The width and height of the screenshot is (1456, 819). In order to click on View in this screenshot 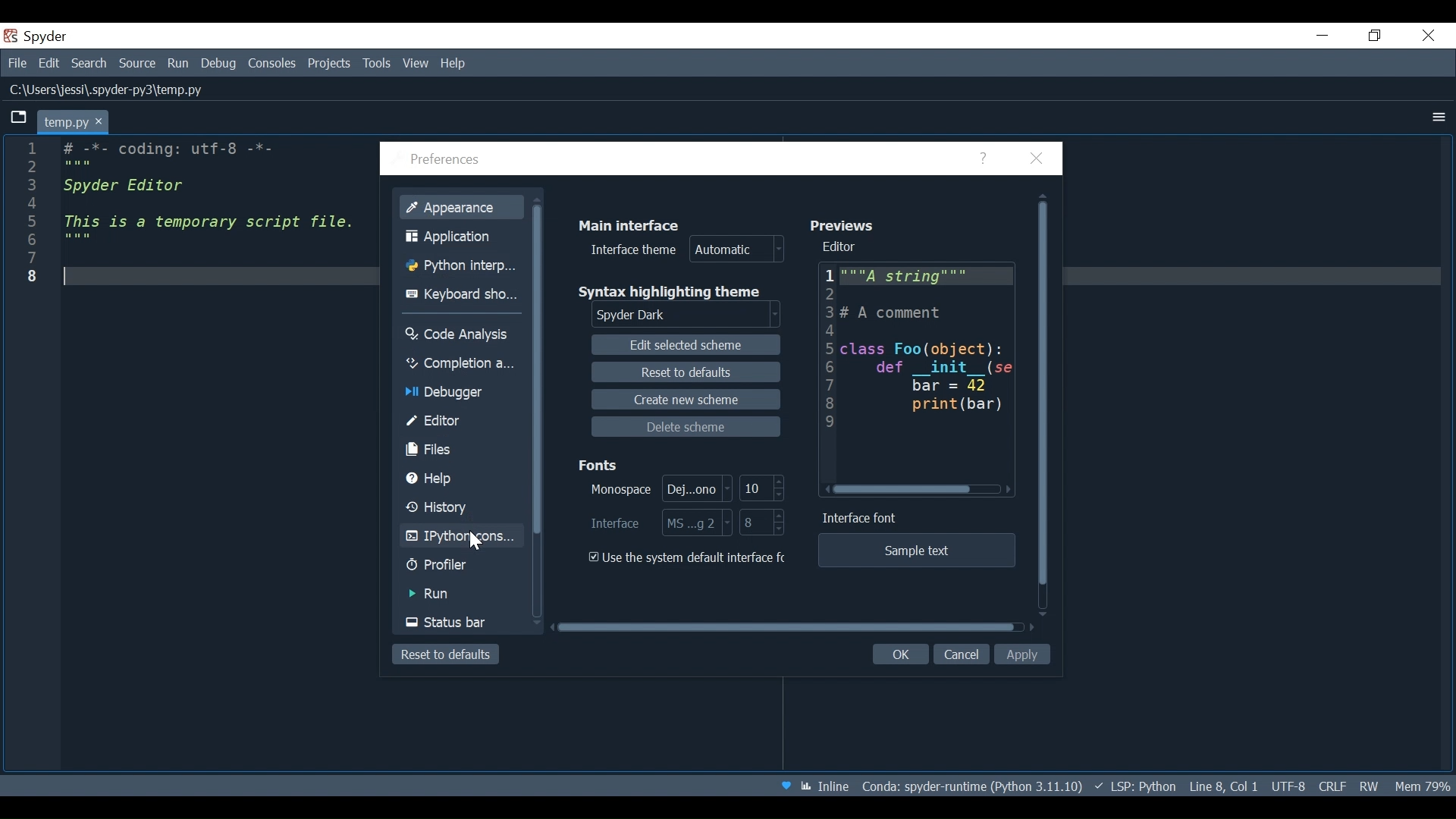, I will do `click(416, 64)`.